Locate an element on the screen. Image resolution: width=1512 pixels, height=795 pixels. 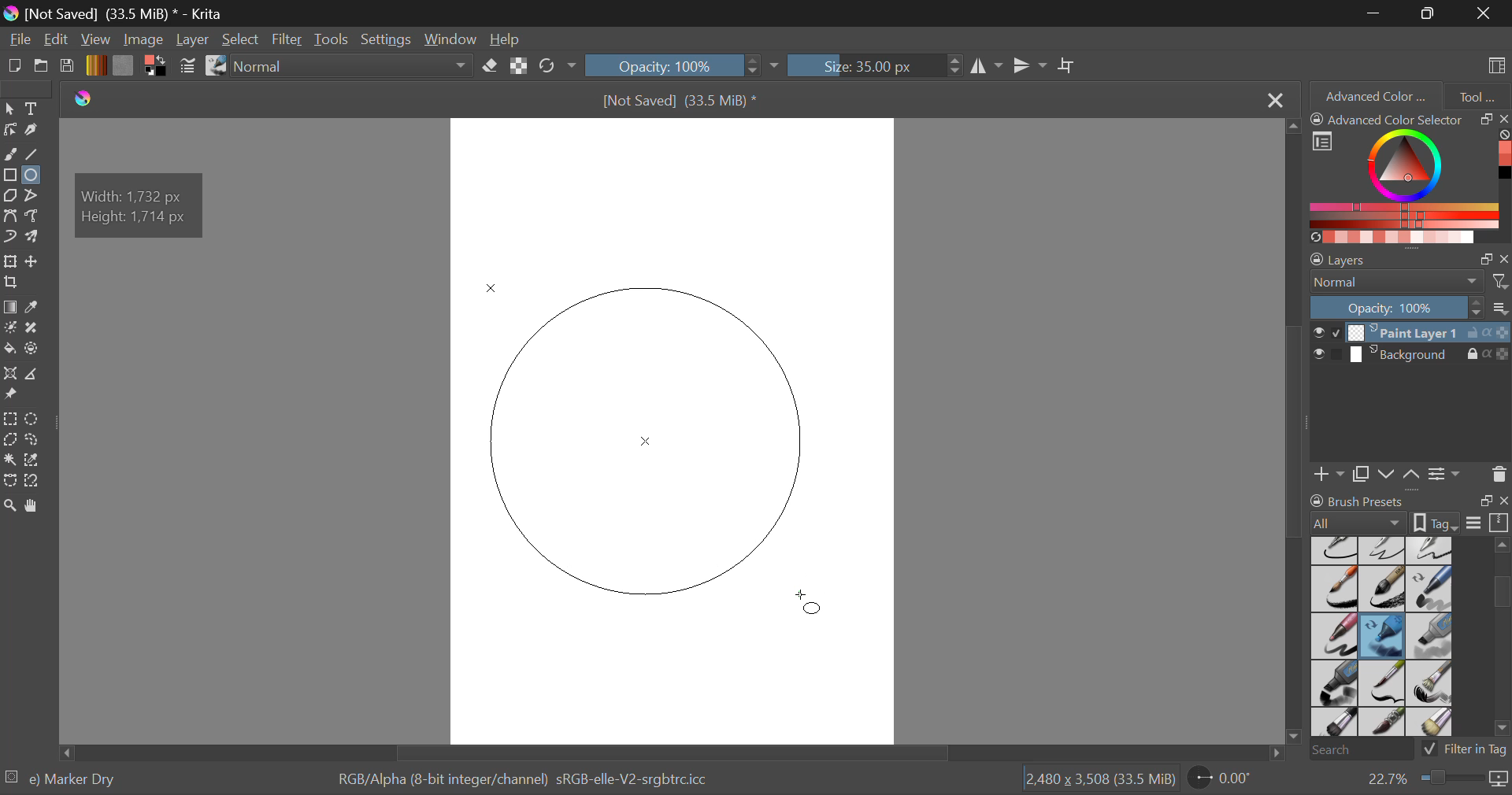
Layer Settings is located at coordinates (1410, 256).